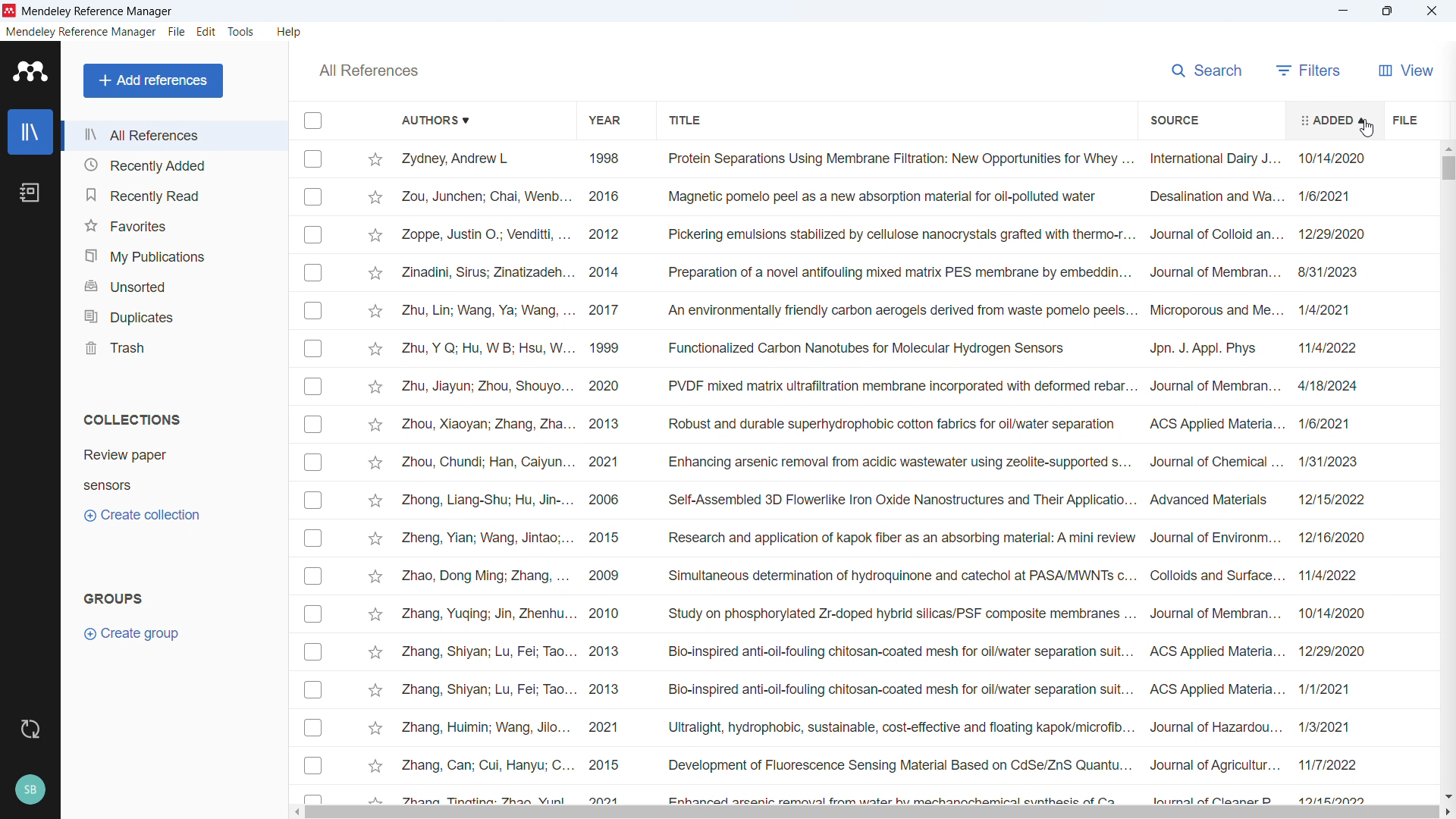  I want to click on help, so click(290, 32).